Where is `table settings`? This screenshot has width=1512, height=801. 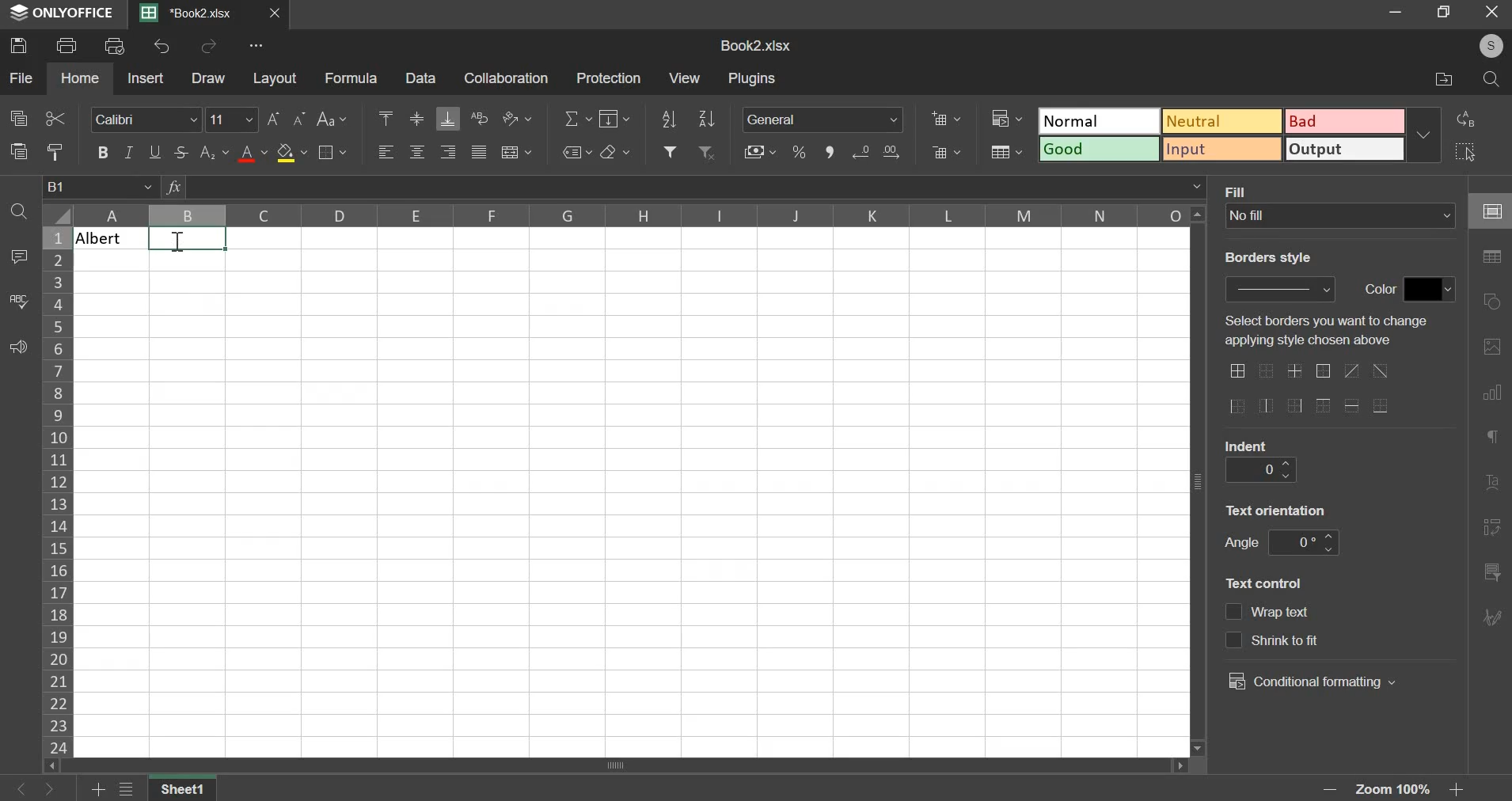
table settings is located at coordinates (1493, 257).